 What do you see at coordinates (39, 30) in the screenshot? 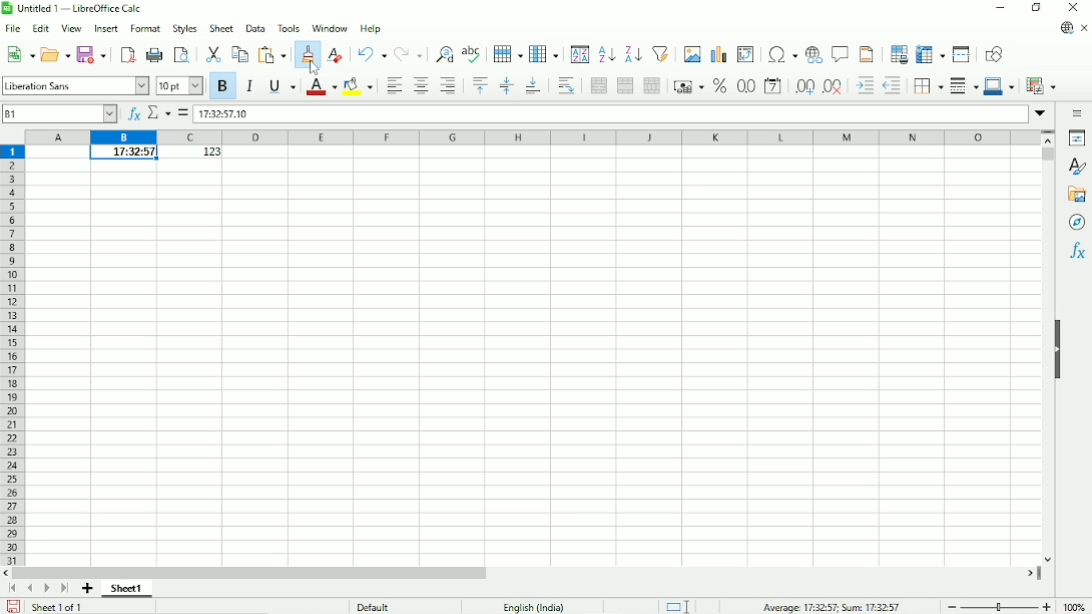
I see `Edit` at bounding box center [39, 30].